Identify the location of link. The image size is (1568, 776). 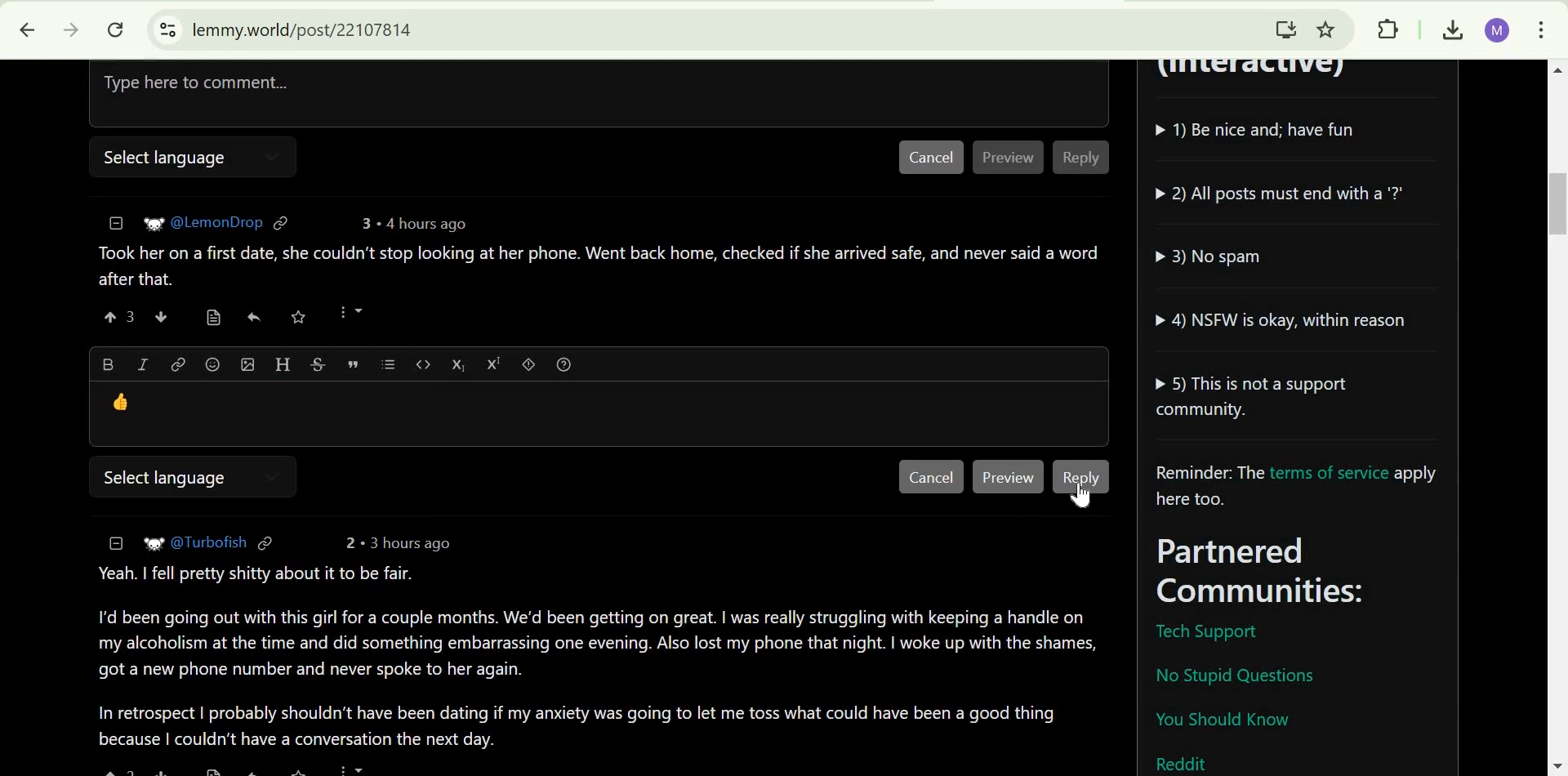
(177, 363).